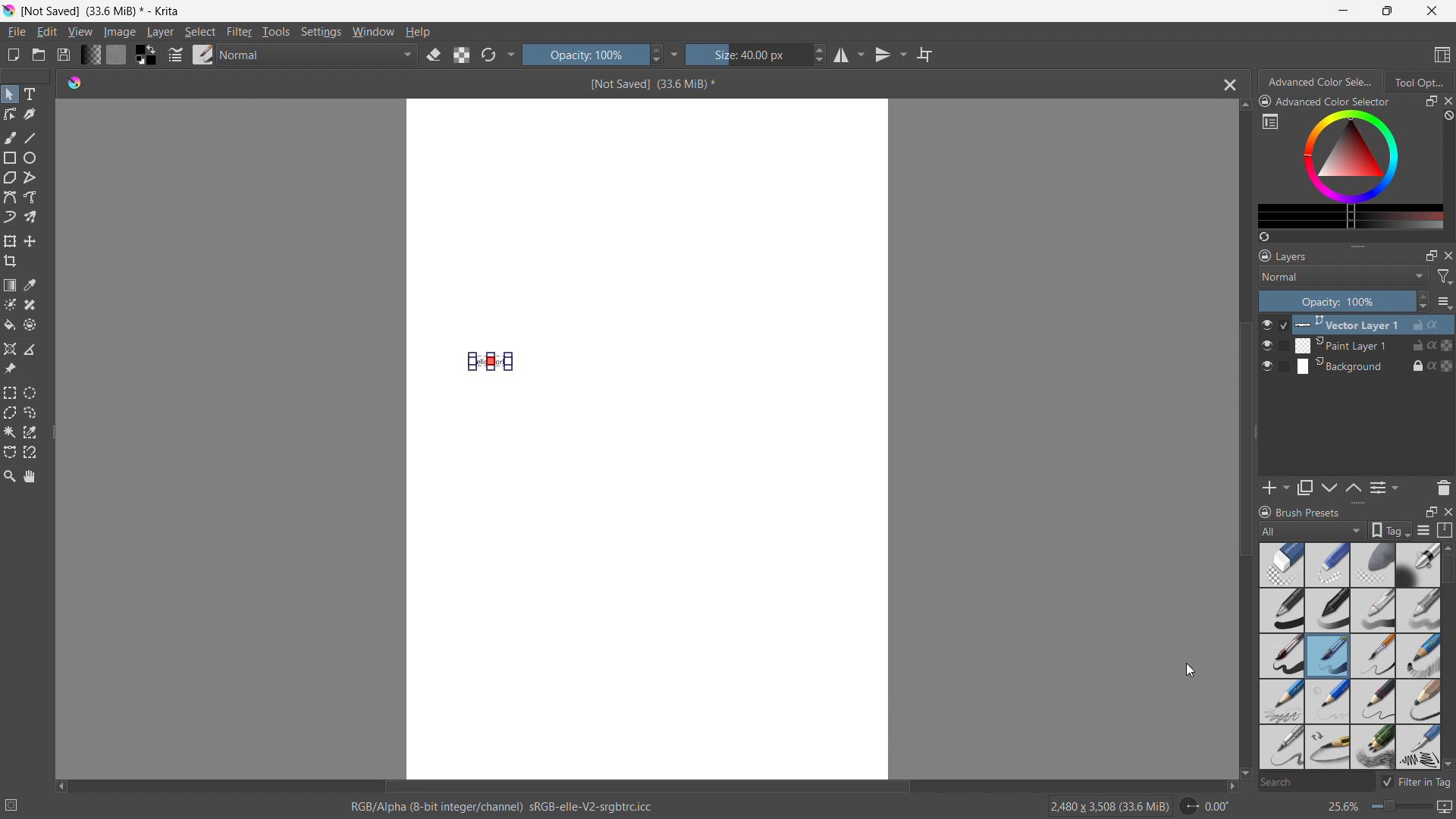 The height and width of the screenshot is (819, 1456). I want to click on resize, so click(1357, 244).